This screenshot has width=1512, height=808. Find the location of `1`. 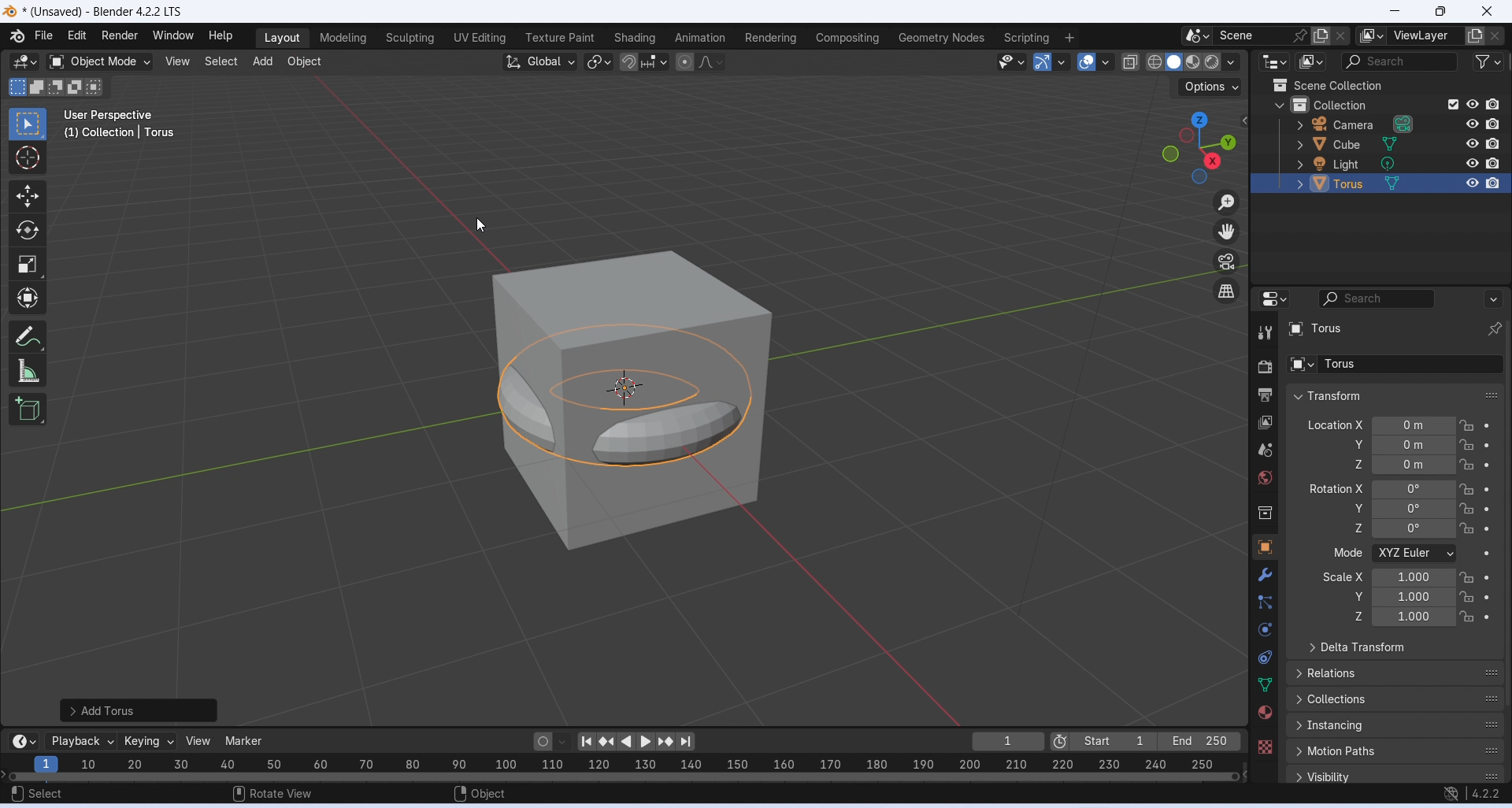

1 is located at coordinates (1008, 741).